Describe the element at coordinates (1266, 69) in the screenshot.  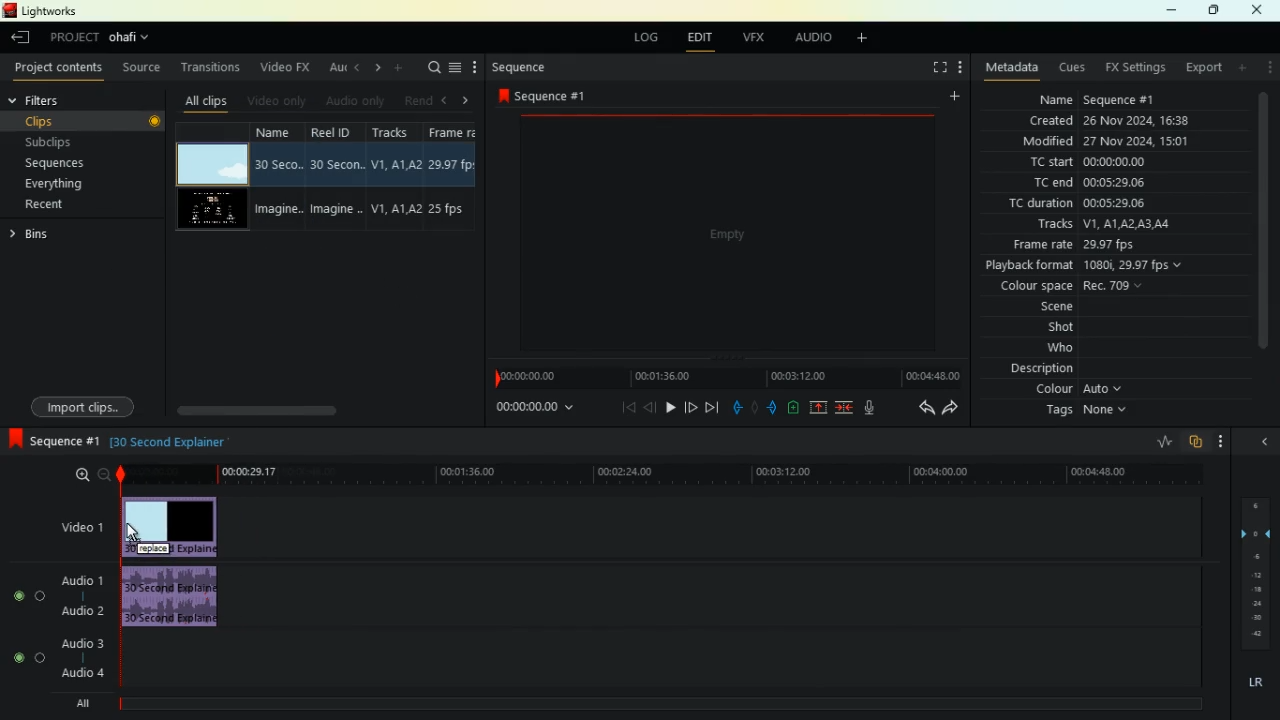
I see `more` at that location.